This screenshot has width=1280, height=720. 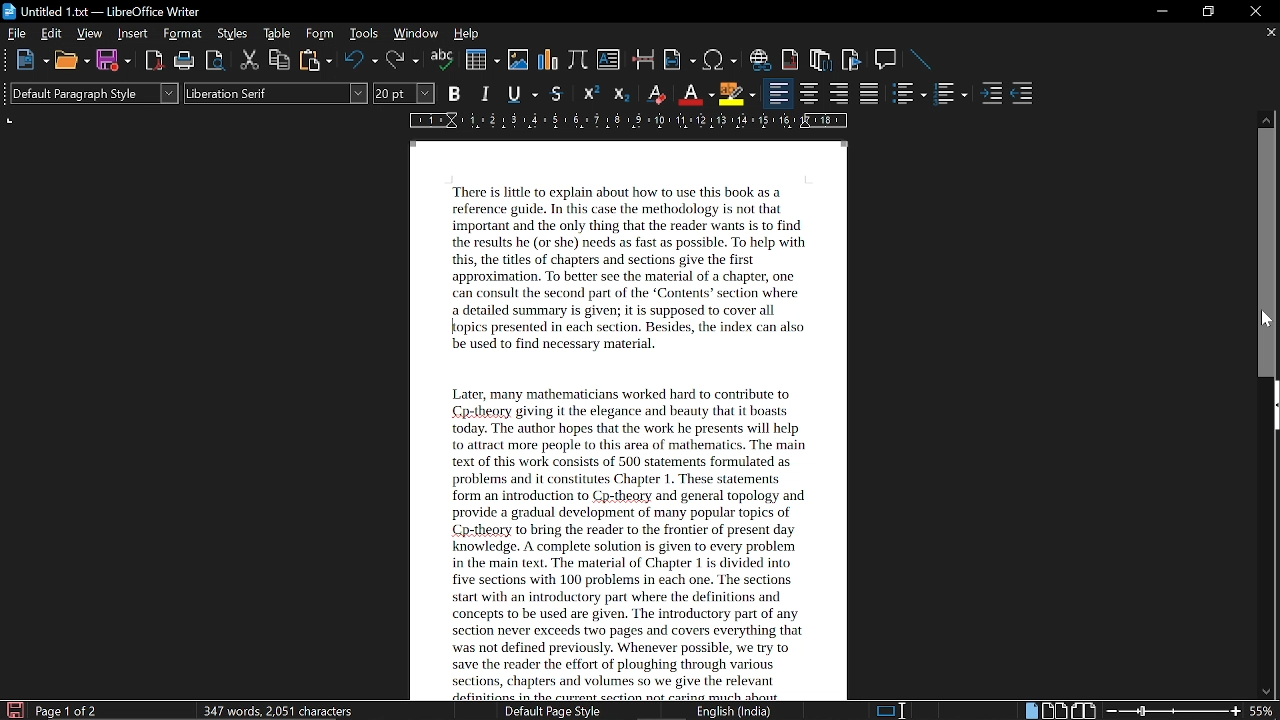 What do you see at coordinates (1252, 11) in the screenshot?
I see `close` at bounding box center [1252, 11].